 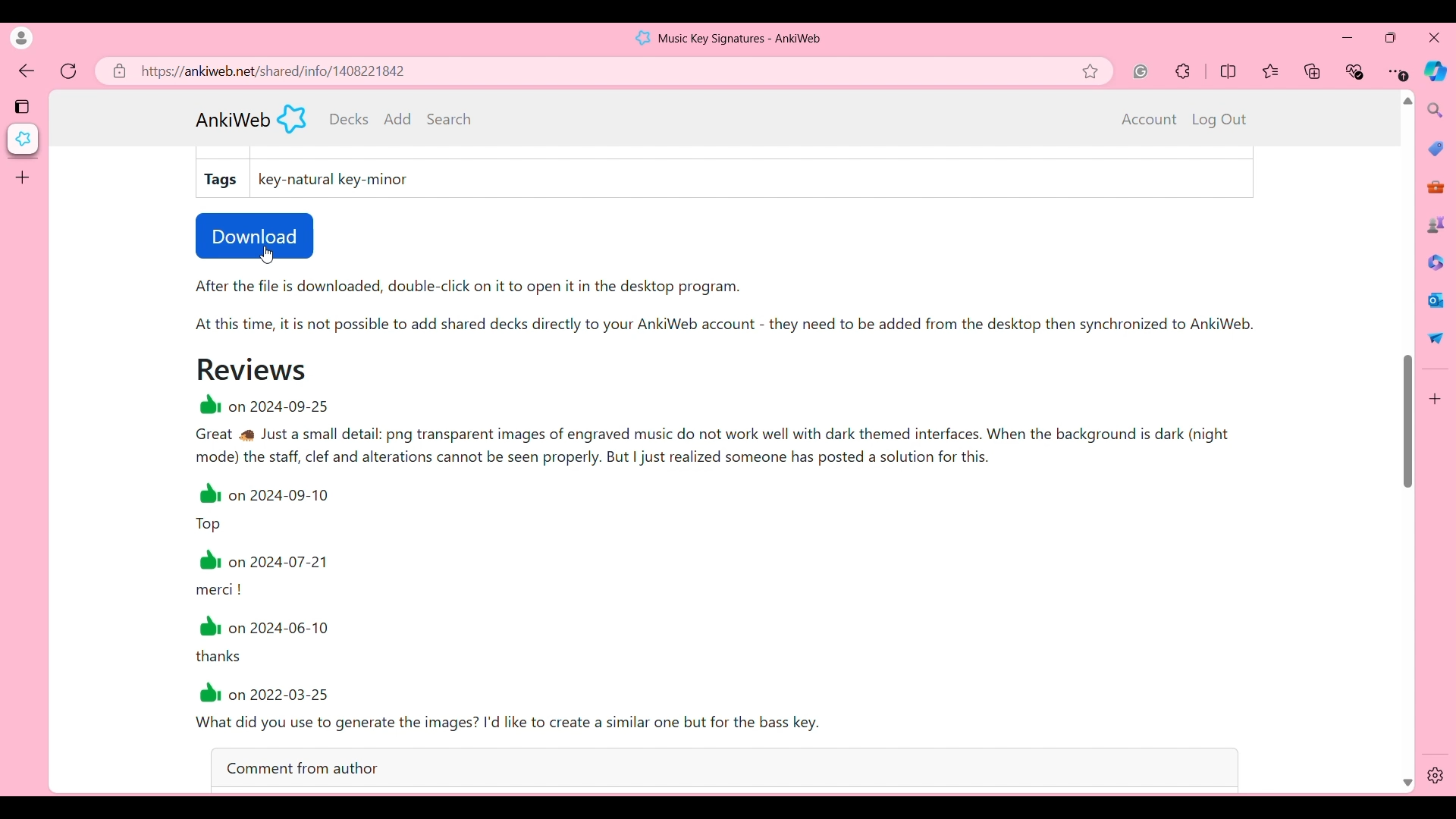 I want to click on key-natural key-minor, so click(x=337, y=180).